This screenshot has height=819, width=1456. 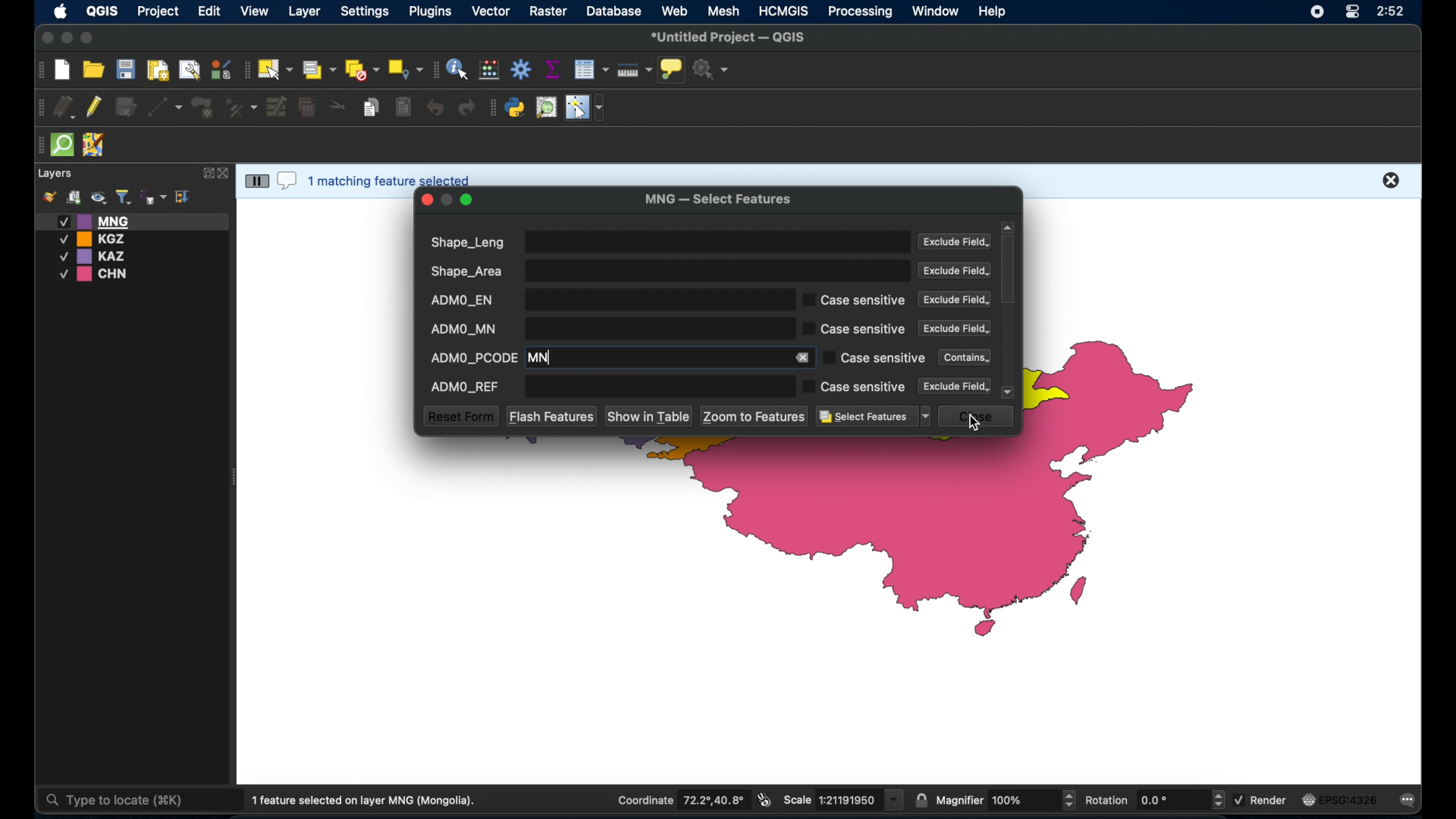 What do you see at coordinates (184, 196) in the screenshot?
I see `collapse all` at bounding box center [184, 196].